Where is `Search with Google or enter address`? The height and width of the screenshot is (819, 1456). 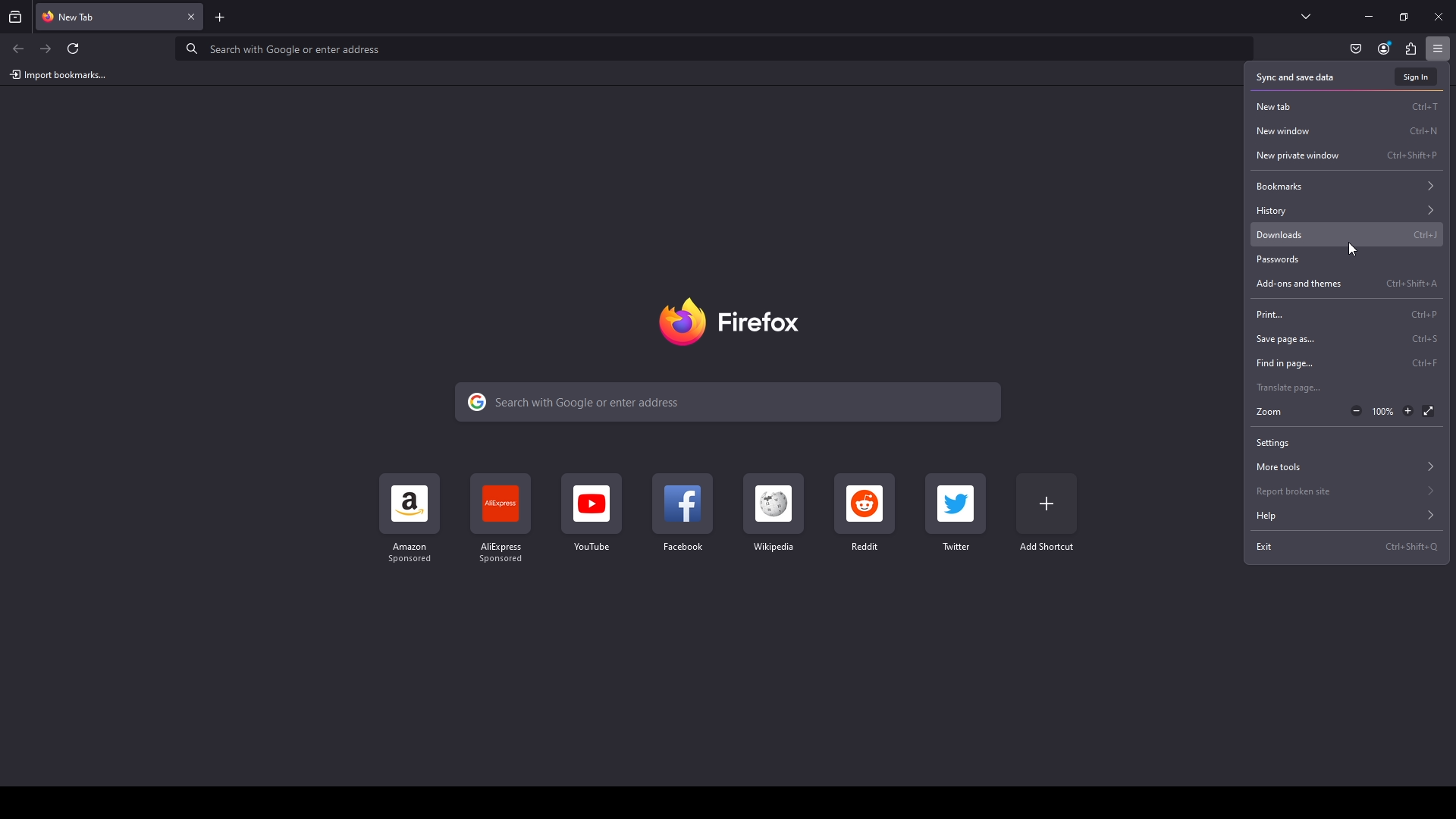
Search with Google or enter address is located at coordinates (726, 401).